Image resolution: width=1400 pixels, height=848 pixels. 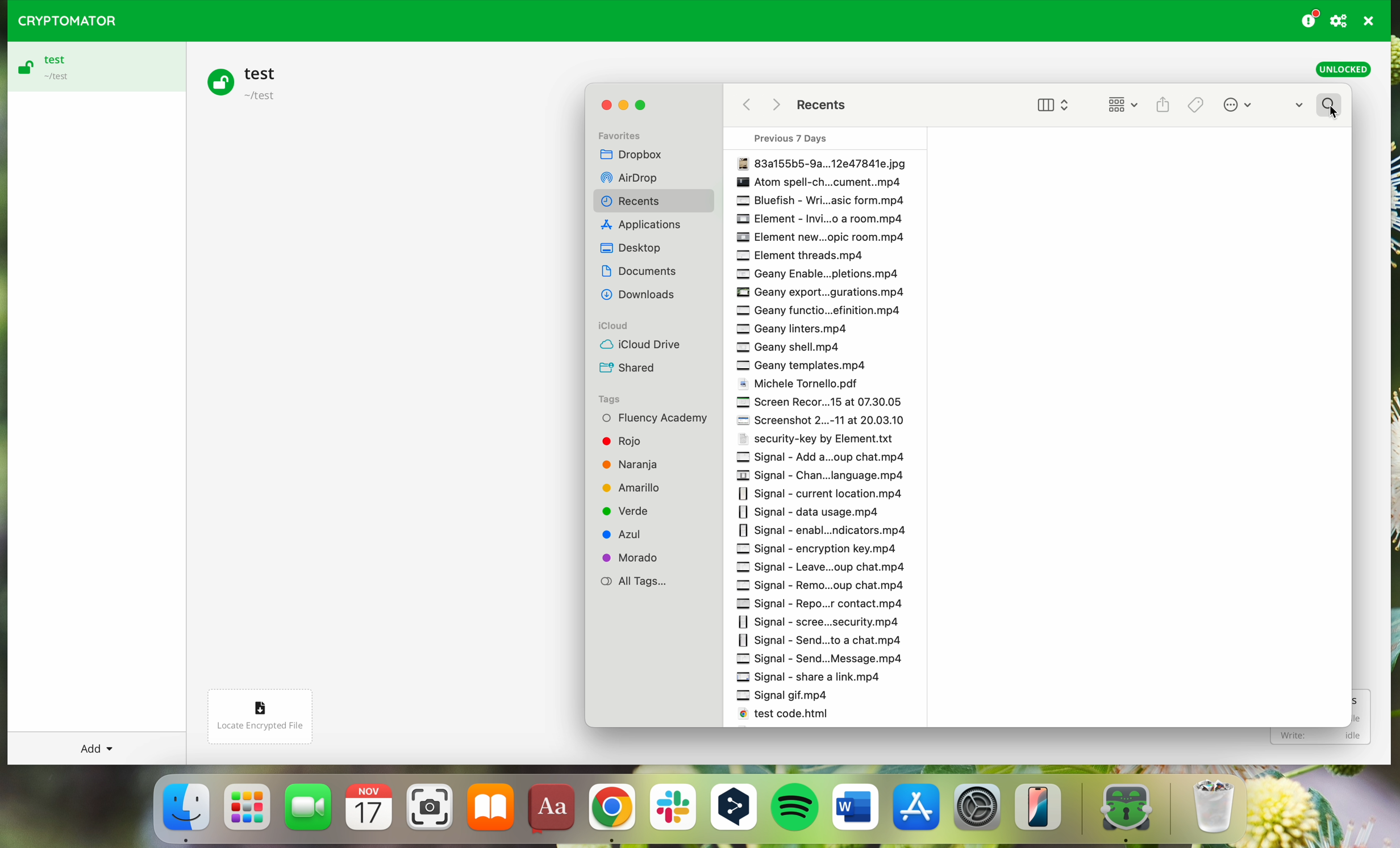 What do you see at coordinates (1211, 811) in the screenshot?
I see `trash` at bounding box center [1211, 811].